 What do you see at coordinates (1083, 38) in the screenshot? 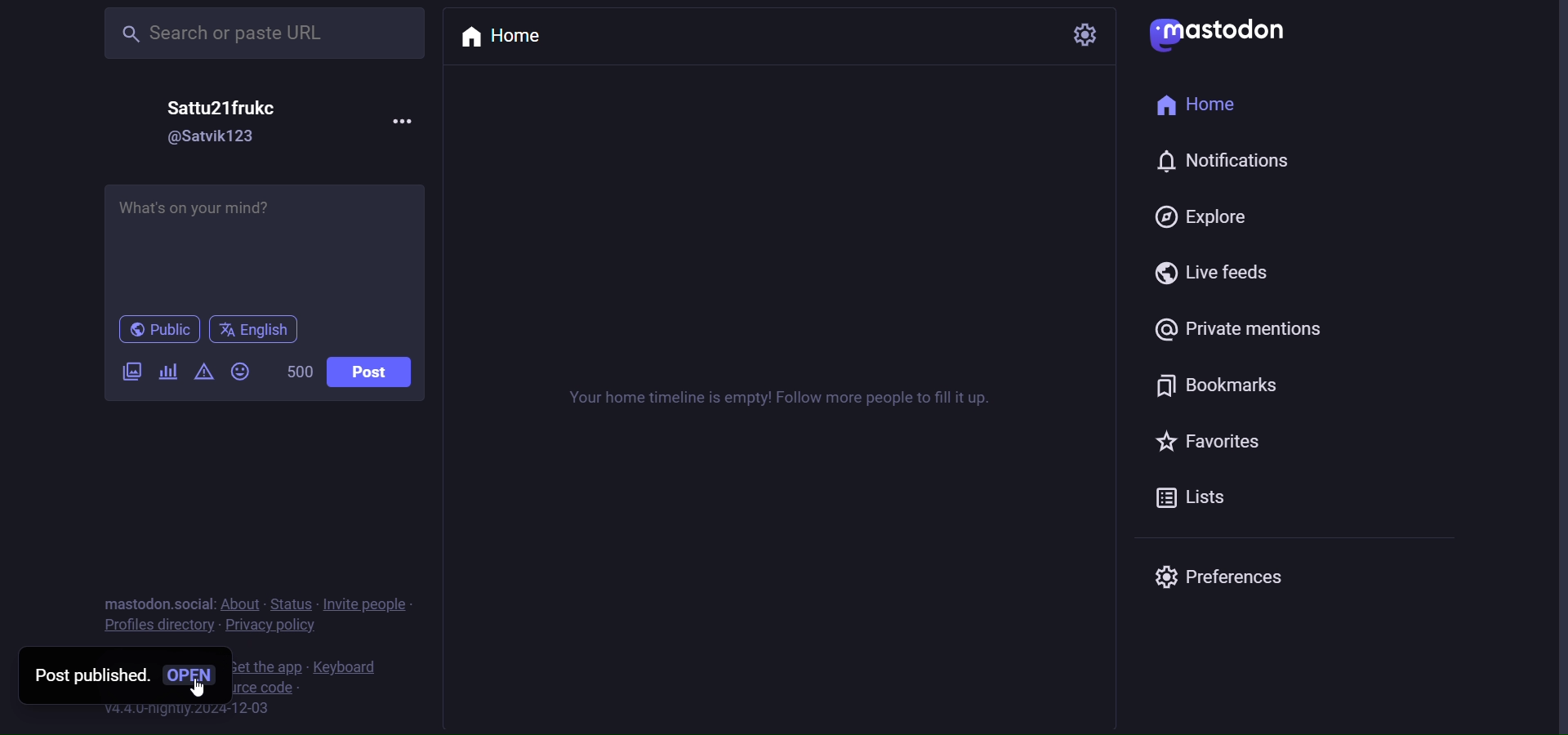
I see `setting` at bounding box center [1083, 38].